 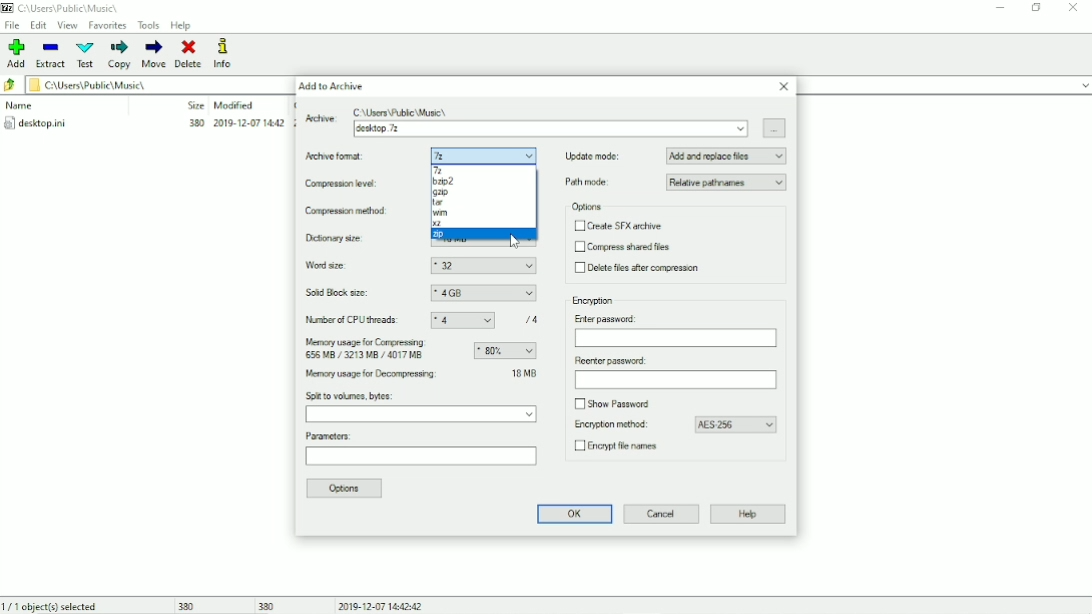 What do you see at coordinates (572, 514) in the screenshot?
I see `OK` at bounding box center [572, 514].